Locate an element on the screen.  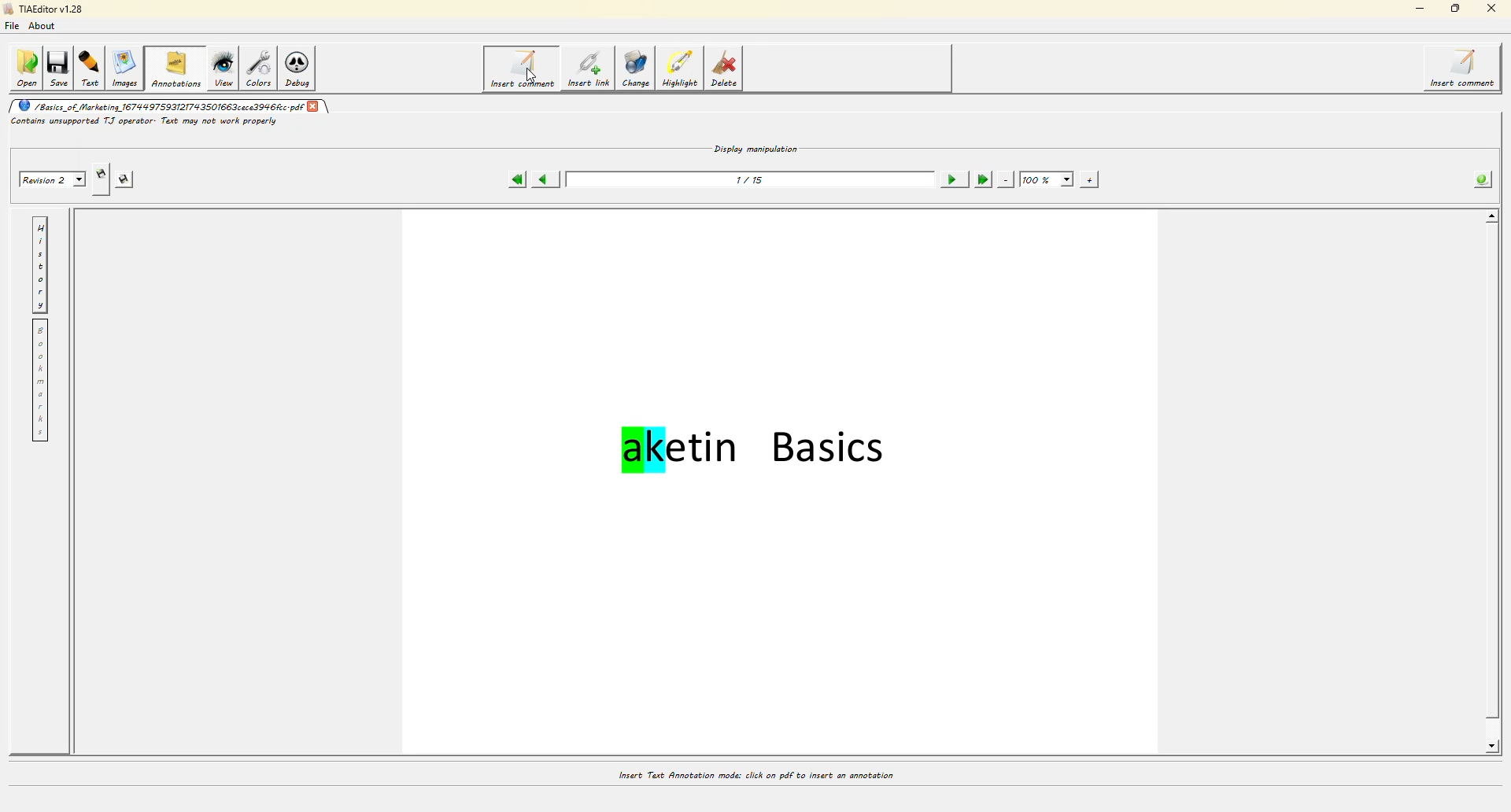
display manipulation is located at coordinates (756, 147).